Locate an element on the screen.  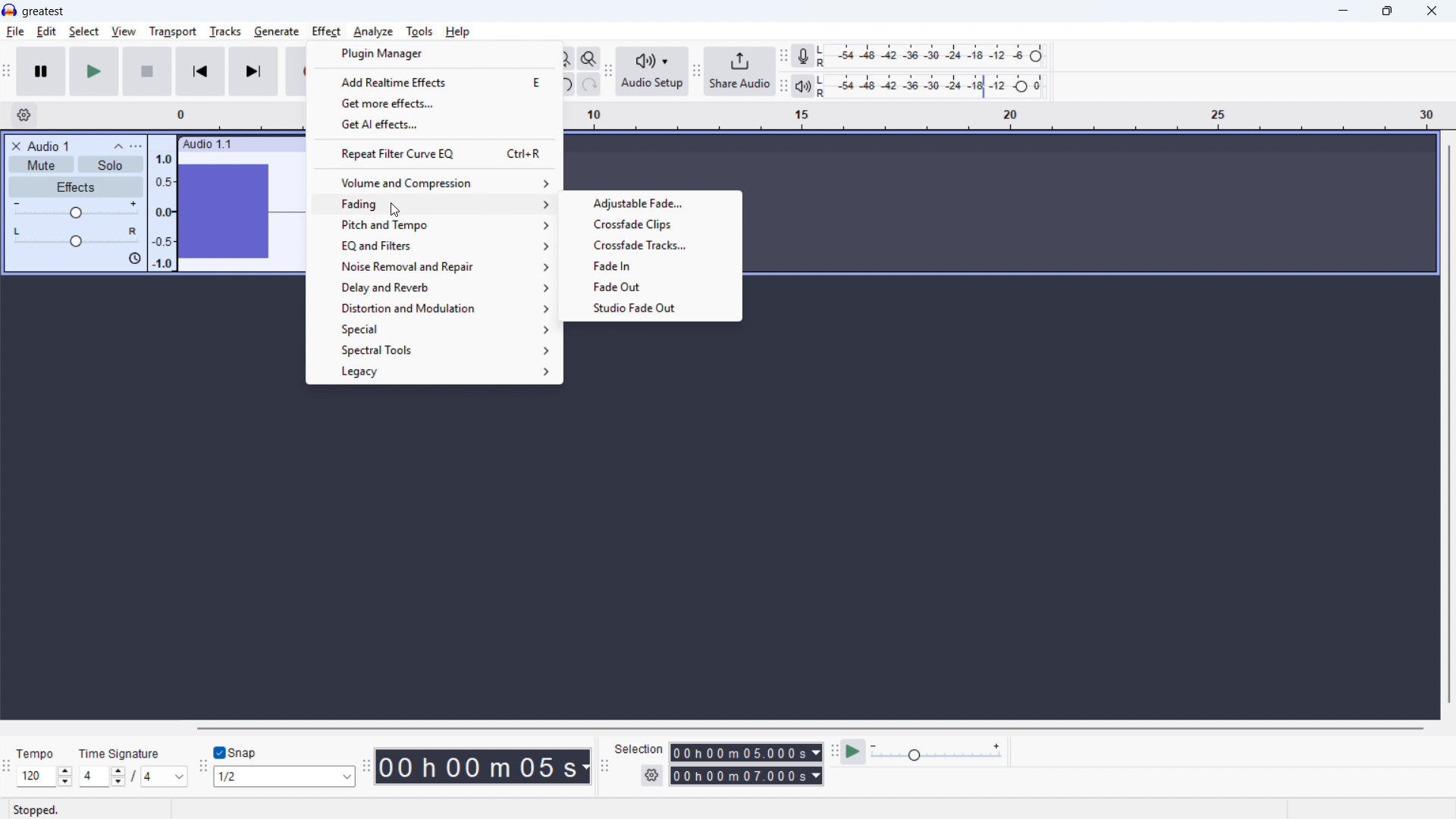
Collapse  is located at coordinates (118, 146).